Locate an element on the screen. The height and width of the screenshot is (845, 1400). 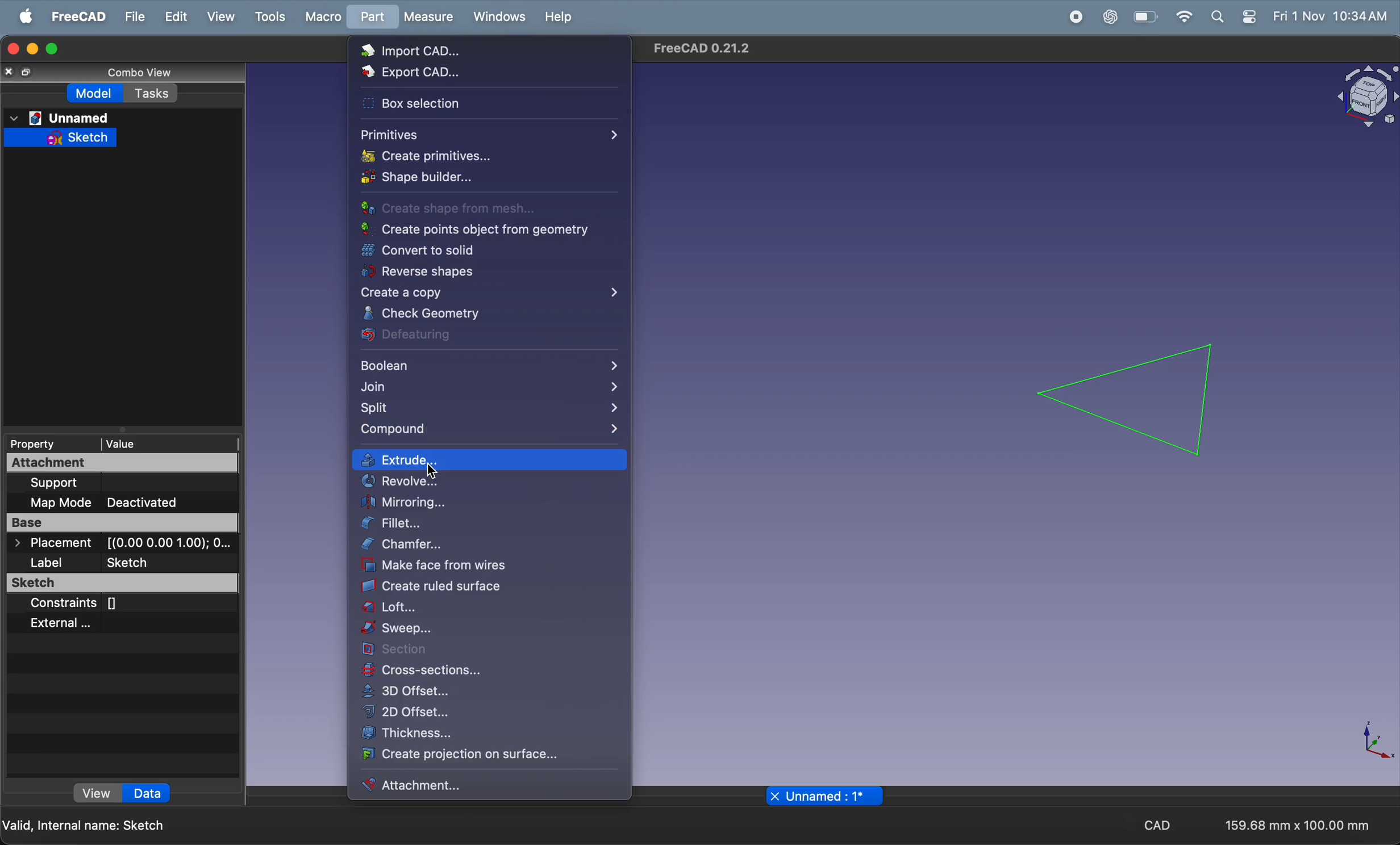
apple menu is located at coordinates (27, 16).